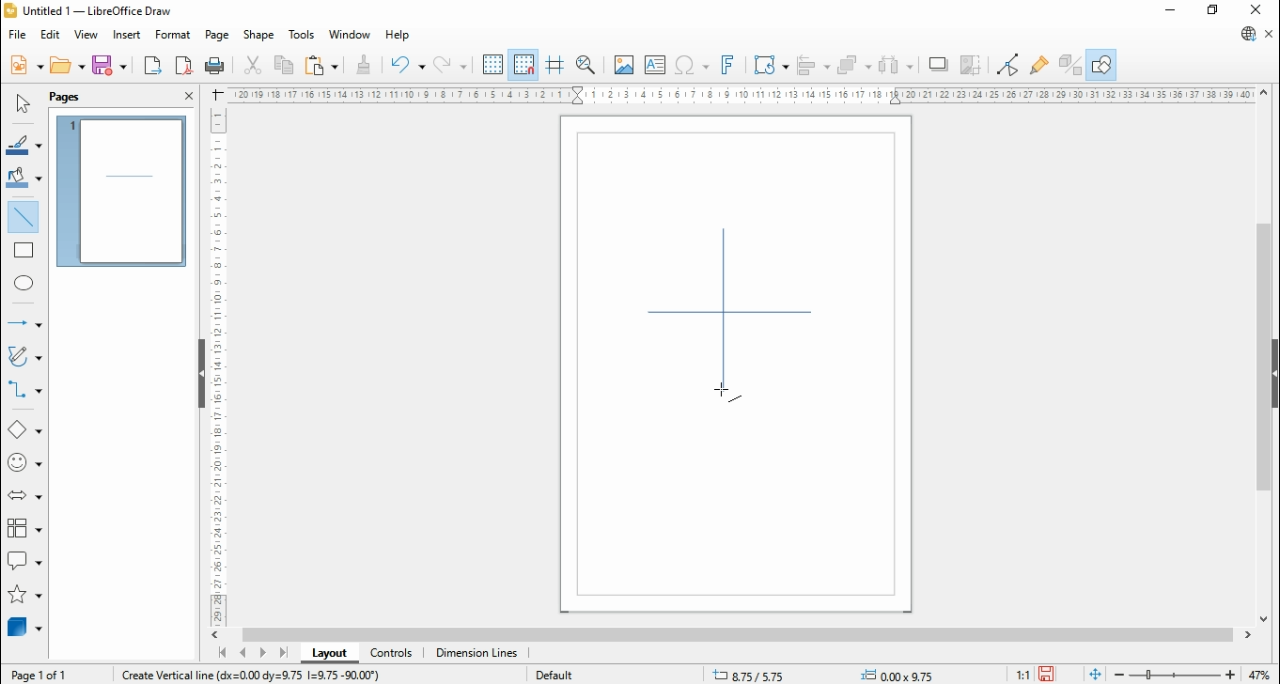  What do you see at coordinates (26, 355) in the screenshot?
I see `curves and polygons` at bounding box center [26, 355].